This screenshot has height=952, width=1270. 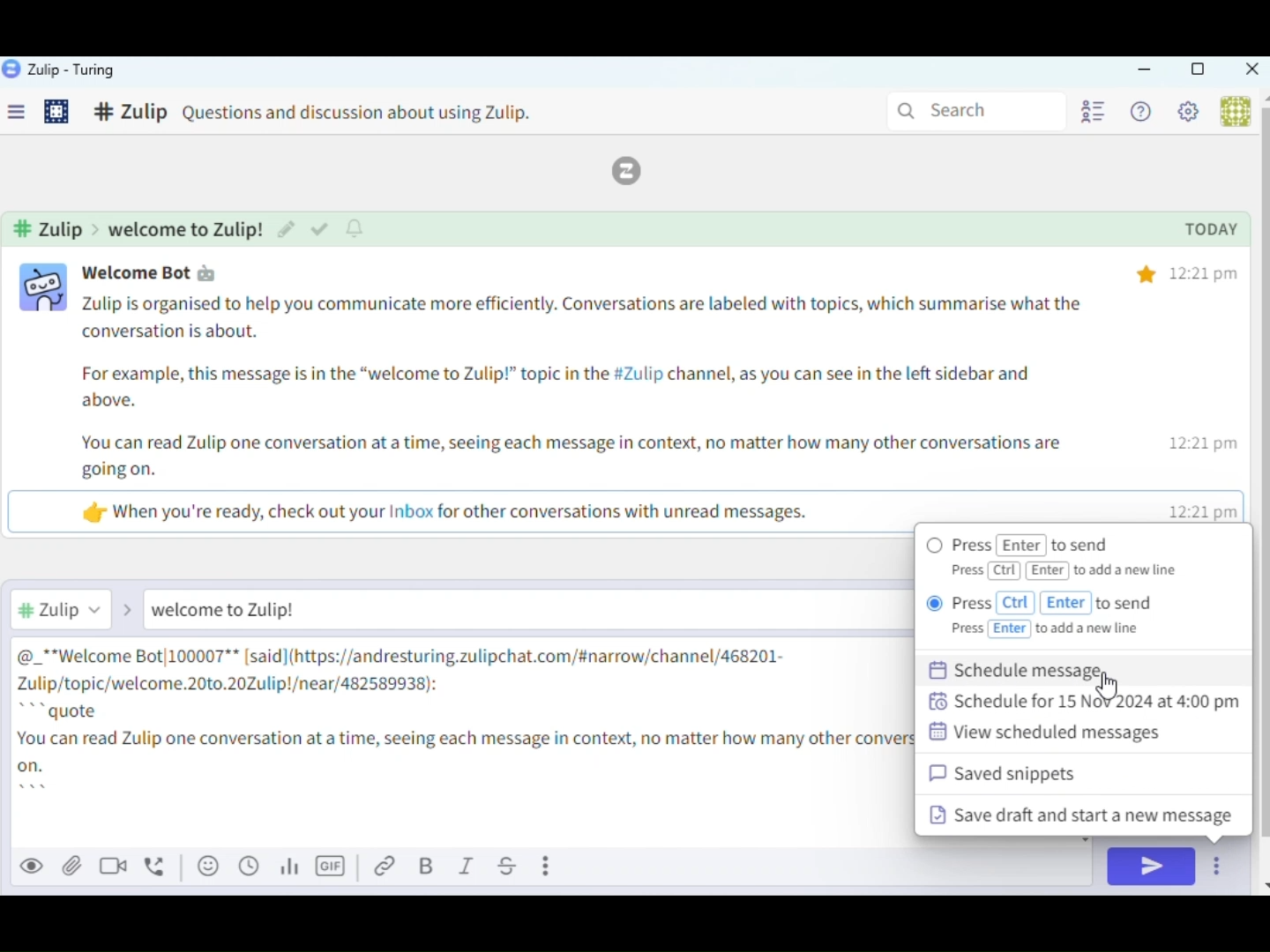 What do you see at coordinates (1144, 113) in the screenshot?
I see `Help` at bounding box center [1144, 113].